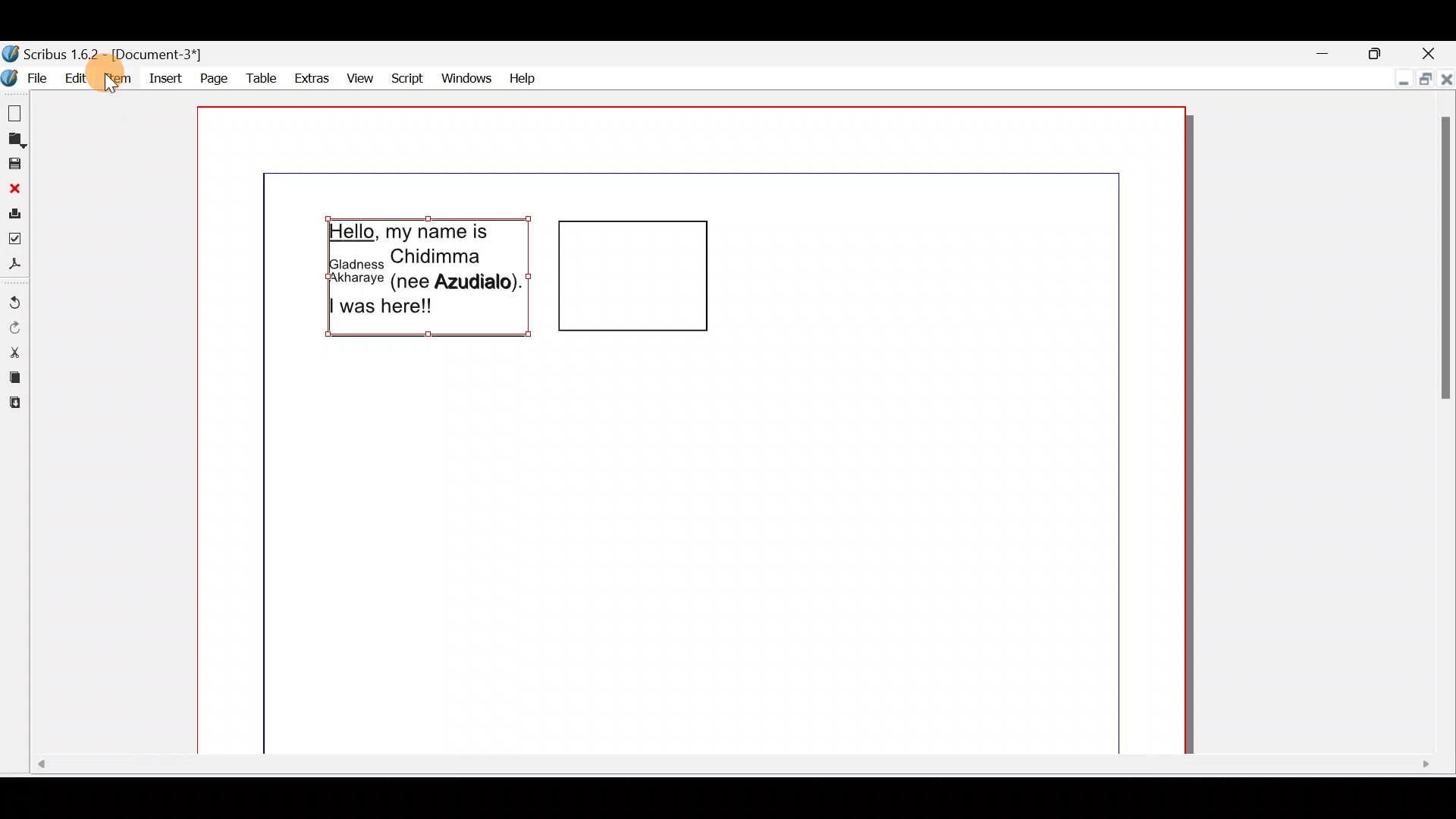 This screenshot has height=819, width=1456. What do you see at coordinates (1323, 52) in the screenshot?
I see `Minimise` at bounding box center [1323, 52].